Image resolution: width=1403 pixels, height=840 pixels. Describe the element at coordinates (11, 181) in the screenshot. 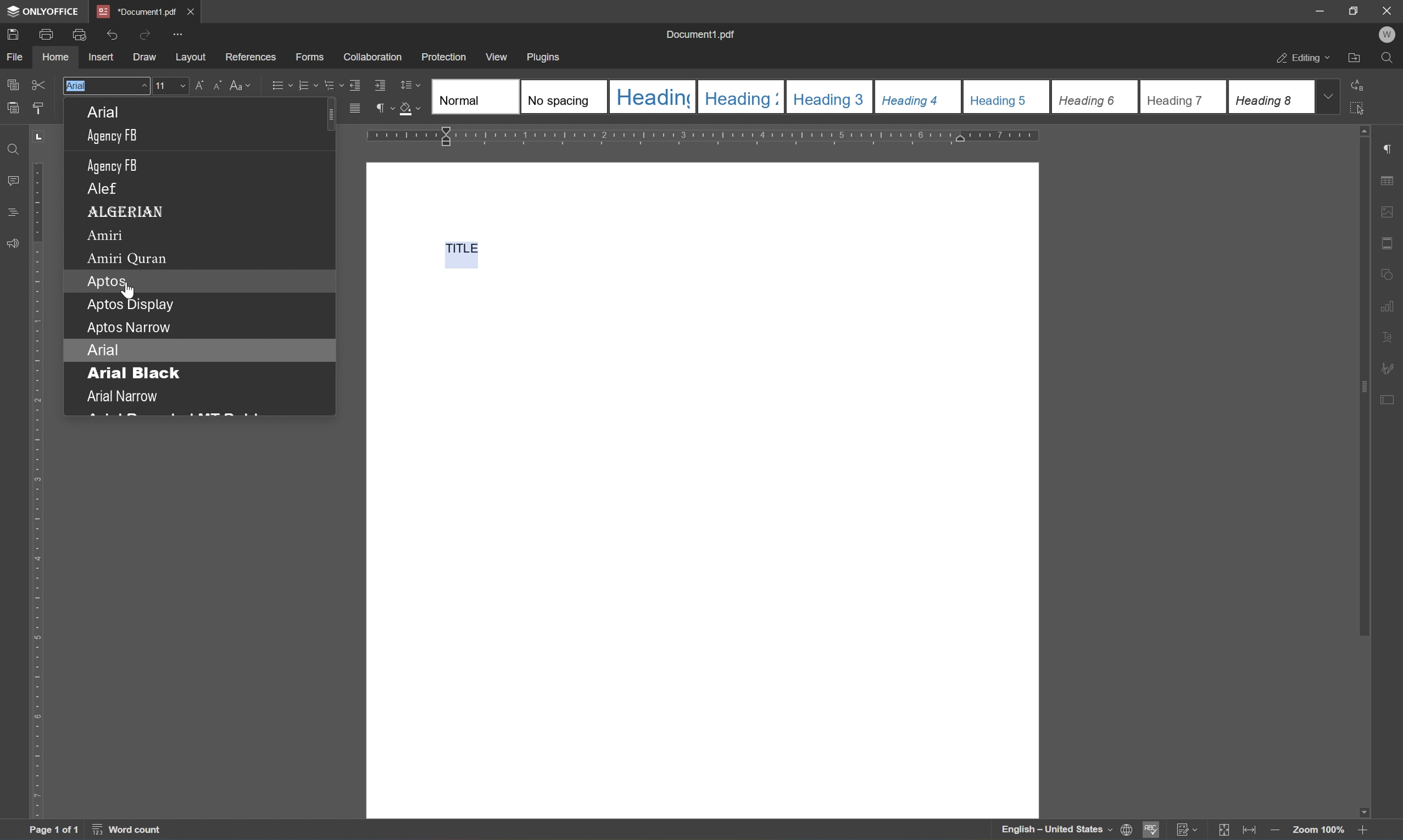

I see `comments` at that location.